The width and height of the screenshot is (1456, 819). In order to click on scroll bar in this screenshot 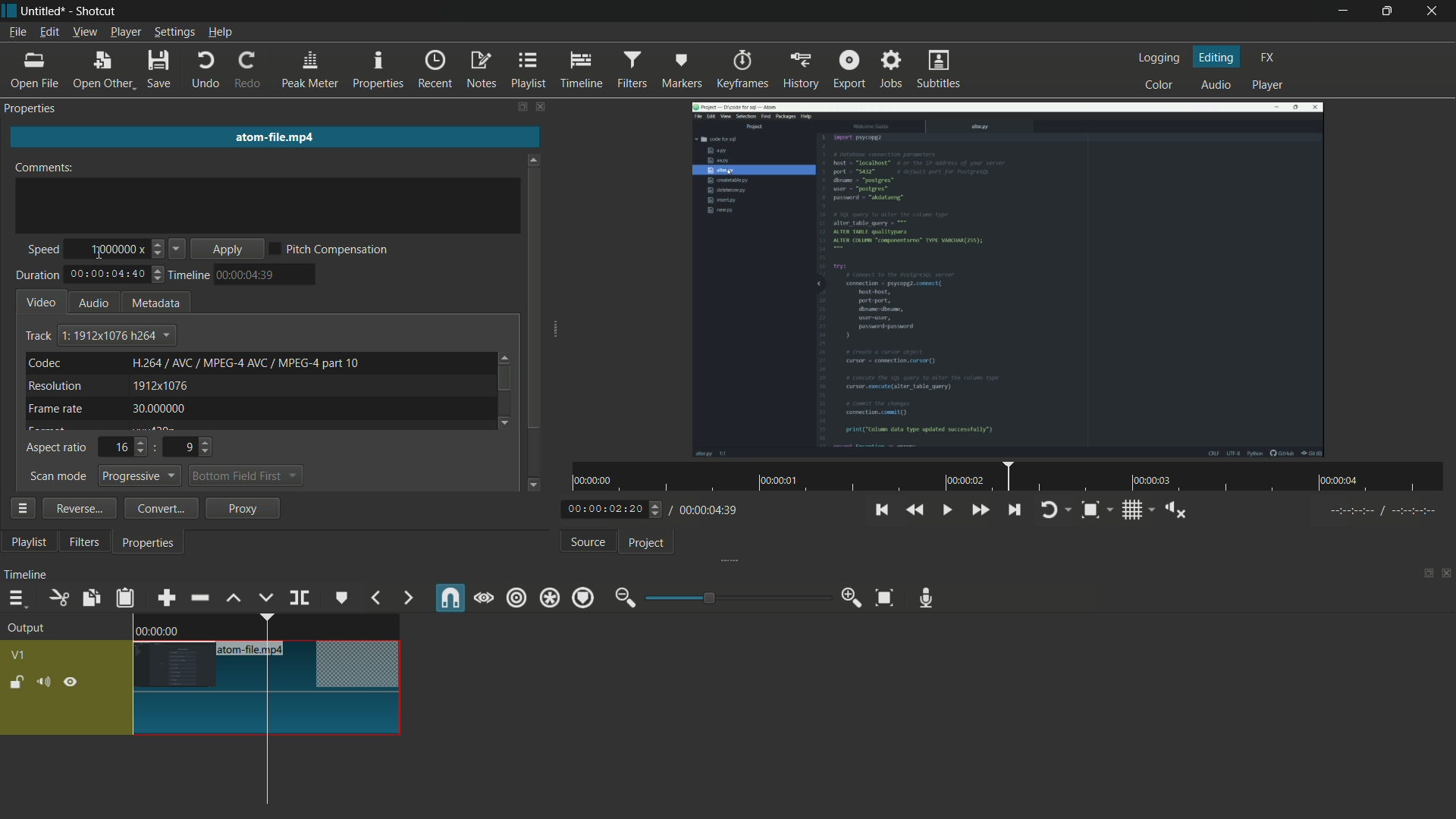, I will do `click(504, 378)`.